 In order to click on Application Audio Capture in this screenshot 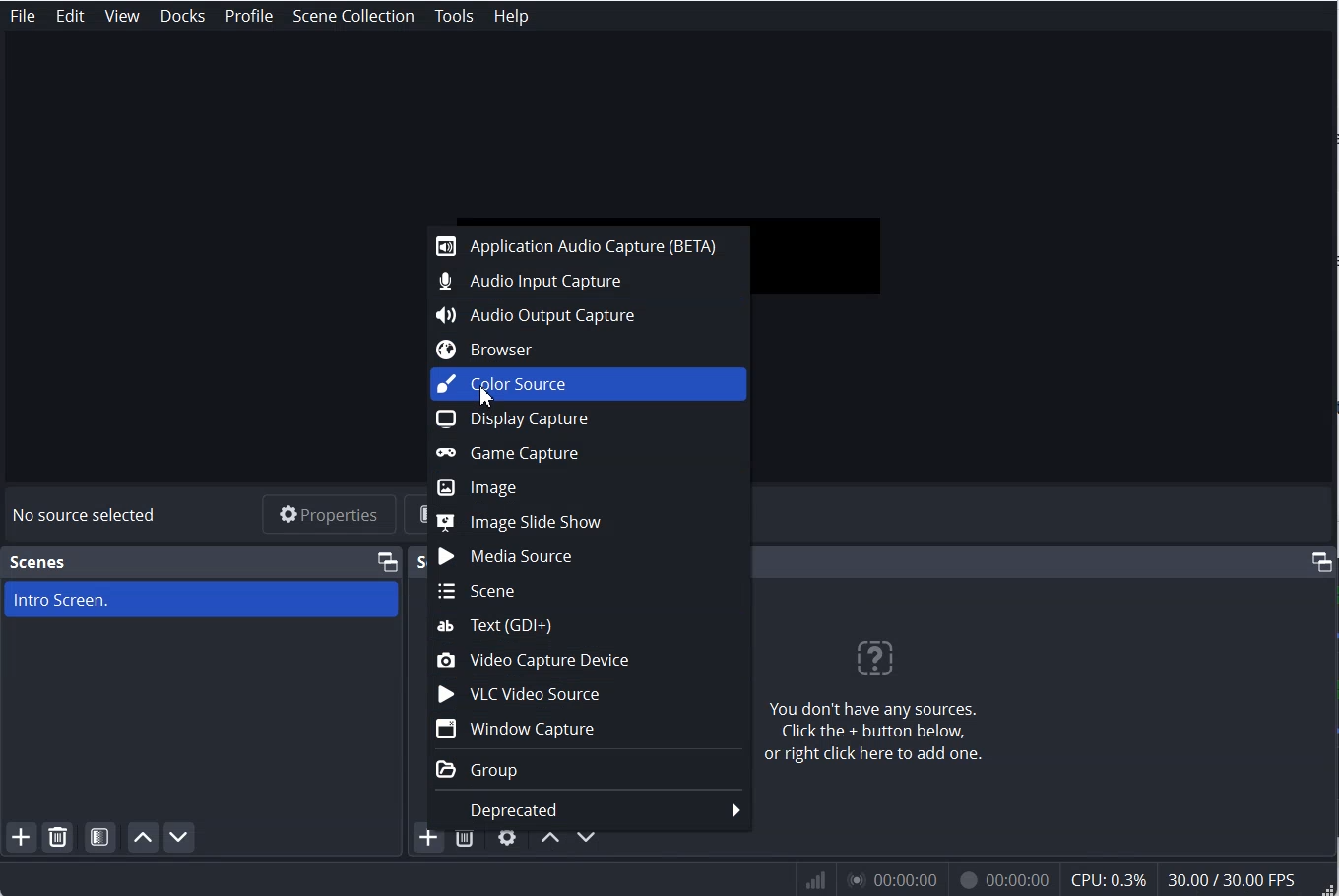, I will do `click(589, 245)`.